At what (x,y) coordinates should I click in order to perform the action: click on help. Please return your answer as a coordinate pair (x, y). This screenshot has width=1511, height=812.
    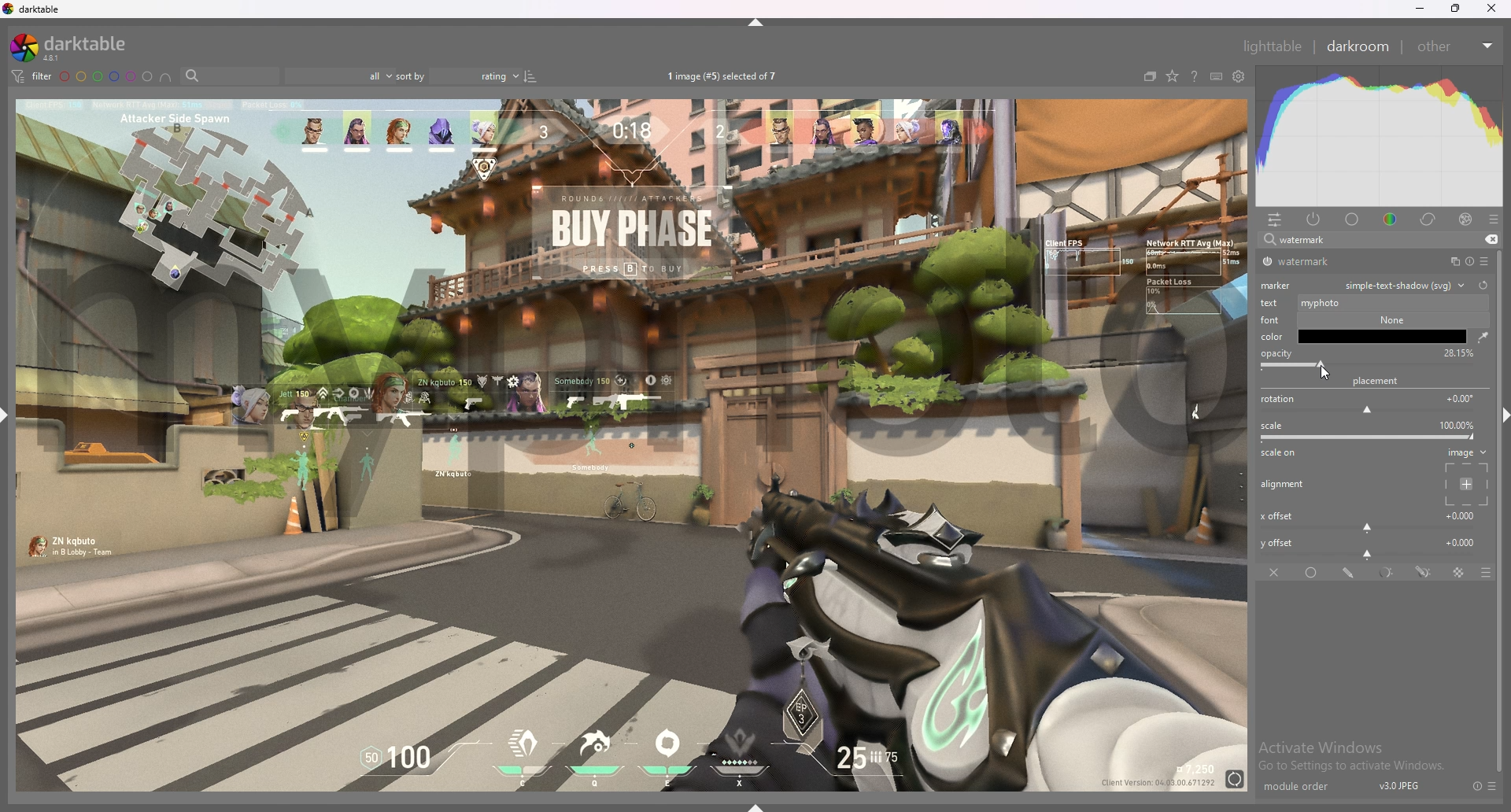
    Looking at the image, I should click on (1194, 78).